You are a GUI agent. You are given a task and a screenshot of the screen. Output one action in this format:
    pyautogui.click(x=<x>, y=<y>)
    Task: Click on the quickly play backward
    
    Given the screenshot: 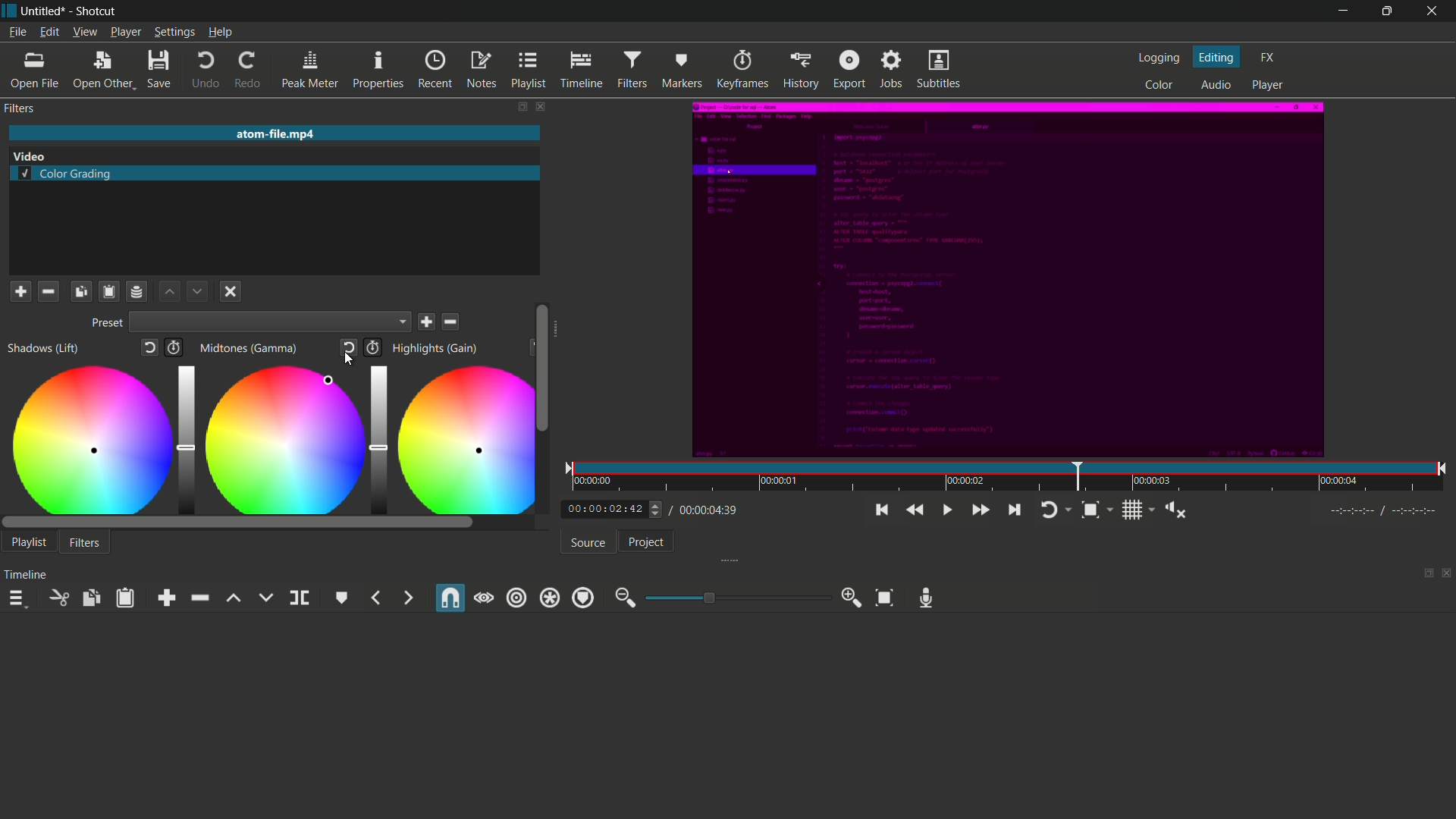 What is the action you would take?
    pyautogui.click(x=912, y=510)
    